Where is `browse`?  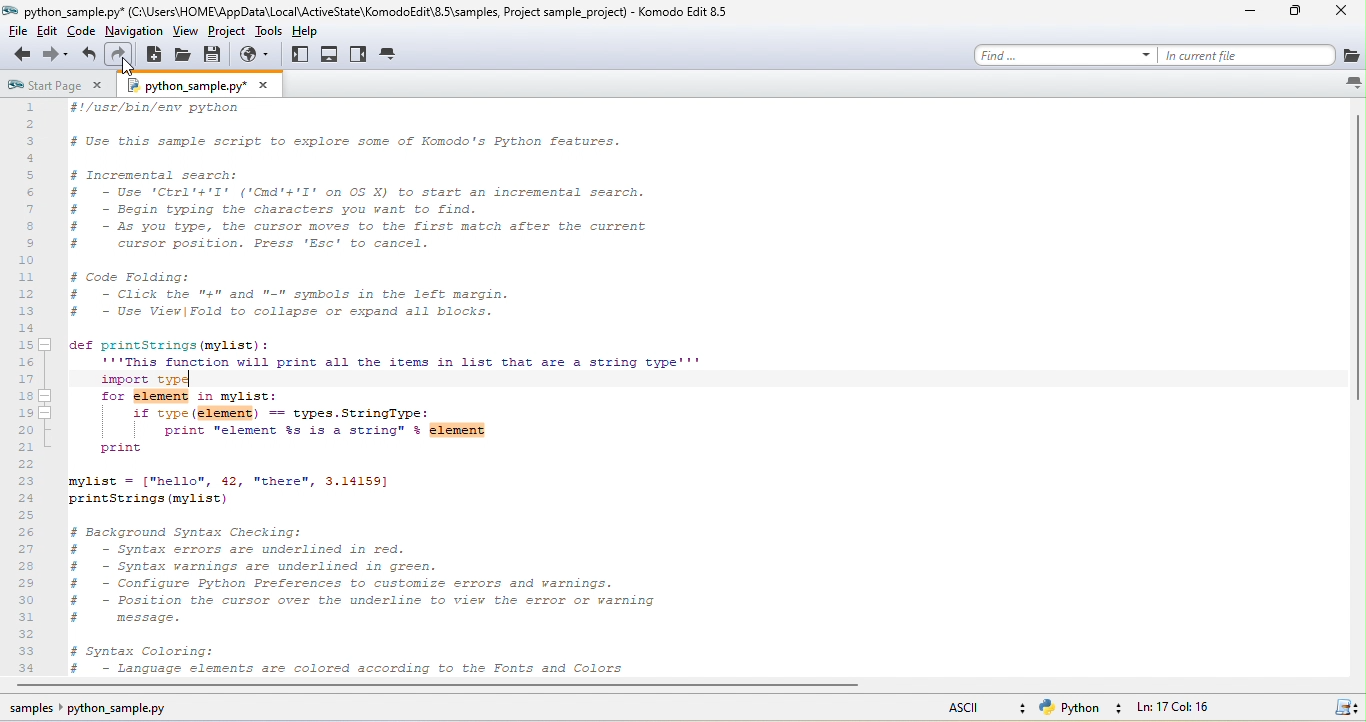 browse is located at coordinates (1351, 53).